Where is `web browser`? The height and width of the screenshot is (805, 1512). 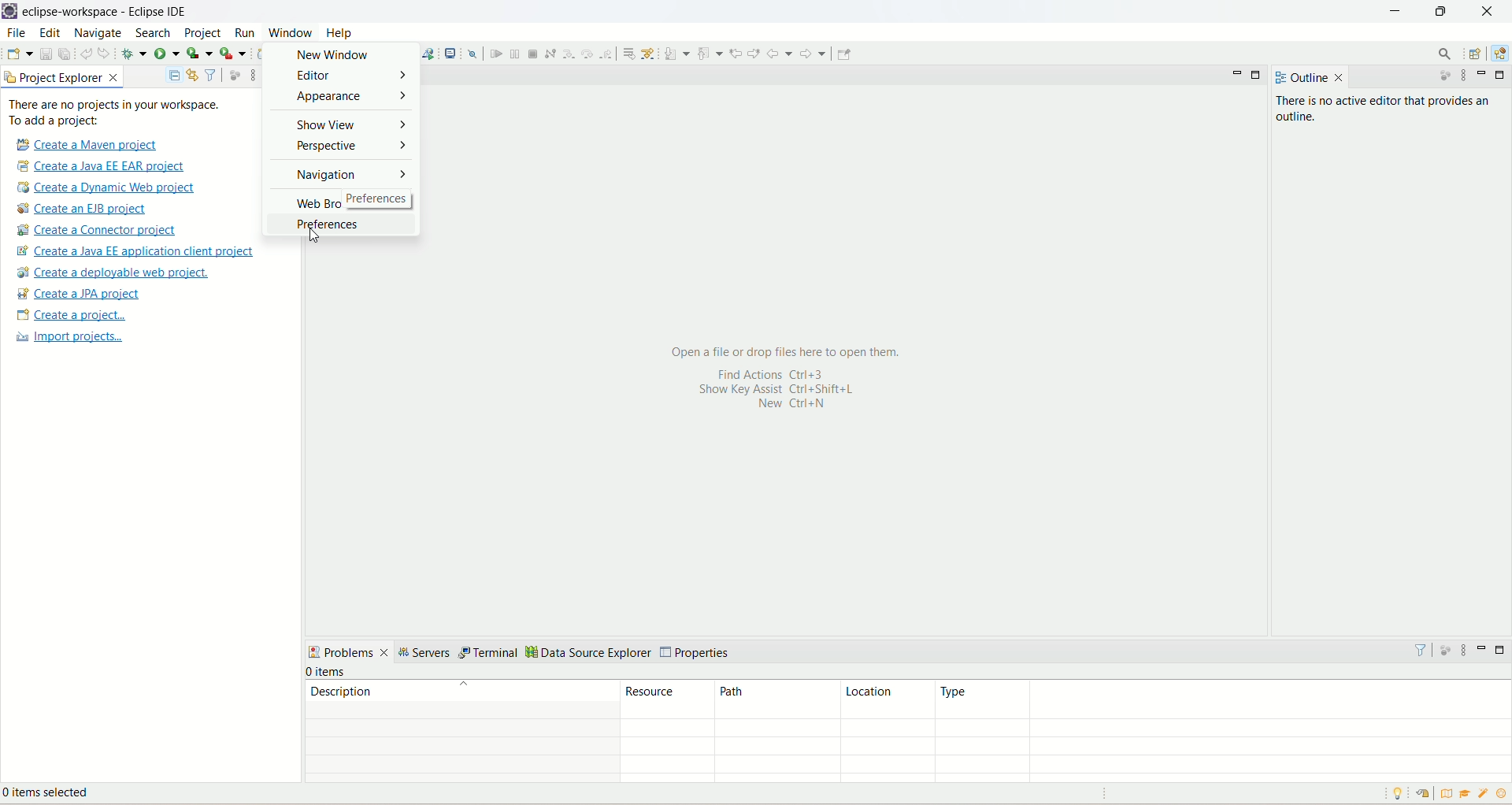 web browser is located at coordinates (342, 203).